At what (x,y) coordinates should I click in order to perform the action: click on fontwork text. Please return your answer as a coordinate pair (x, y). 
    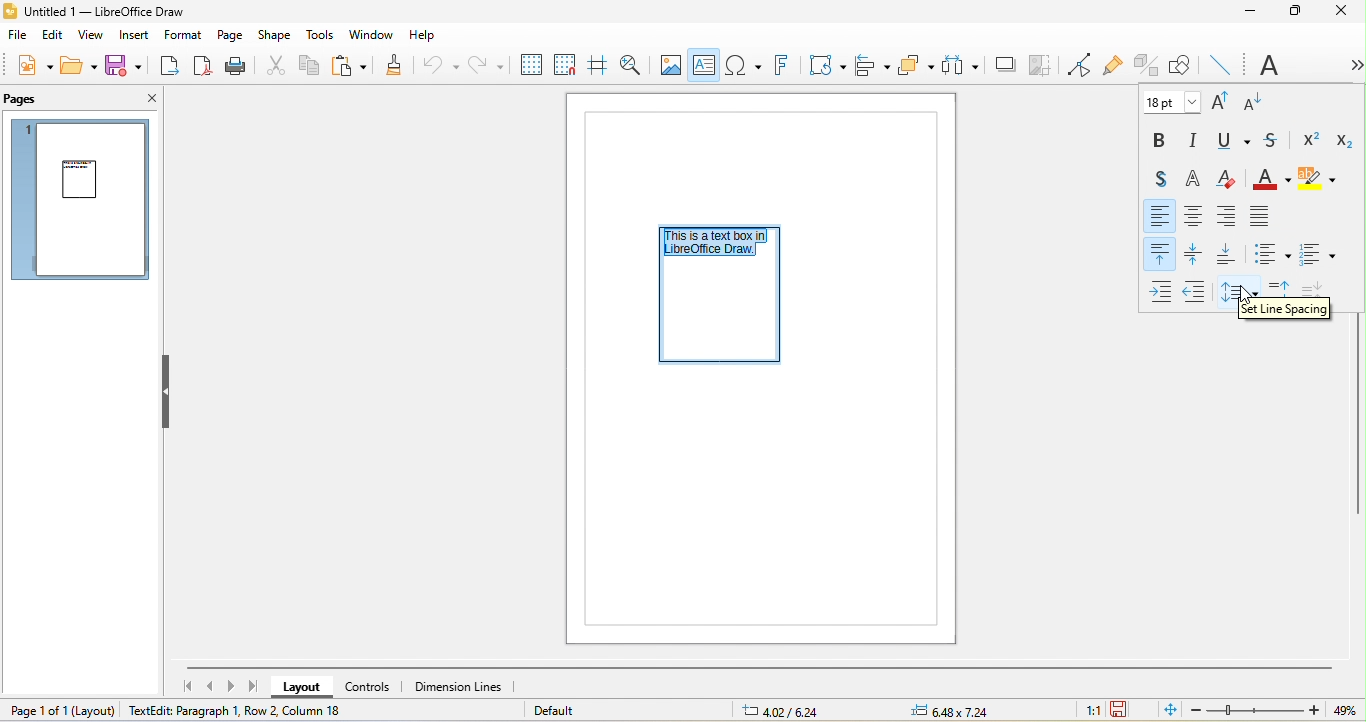
    Looking at the image, I should click on (780, 67).